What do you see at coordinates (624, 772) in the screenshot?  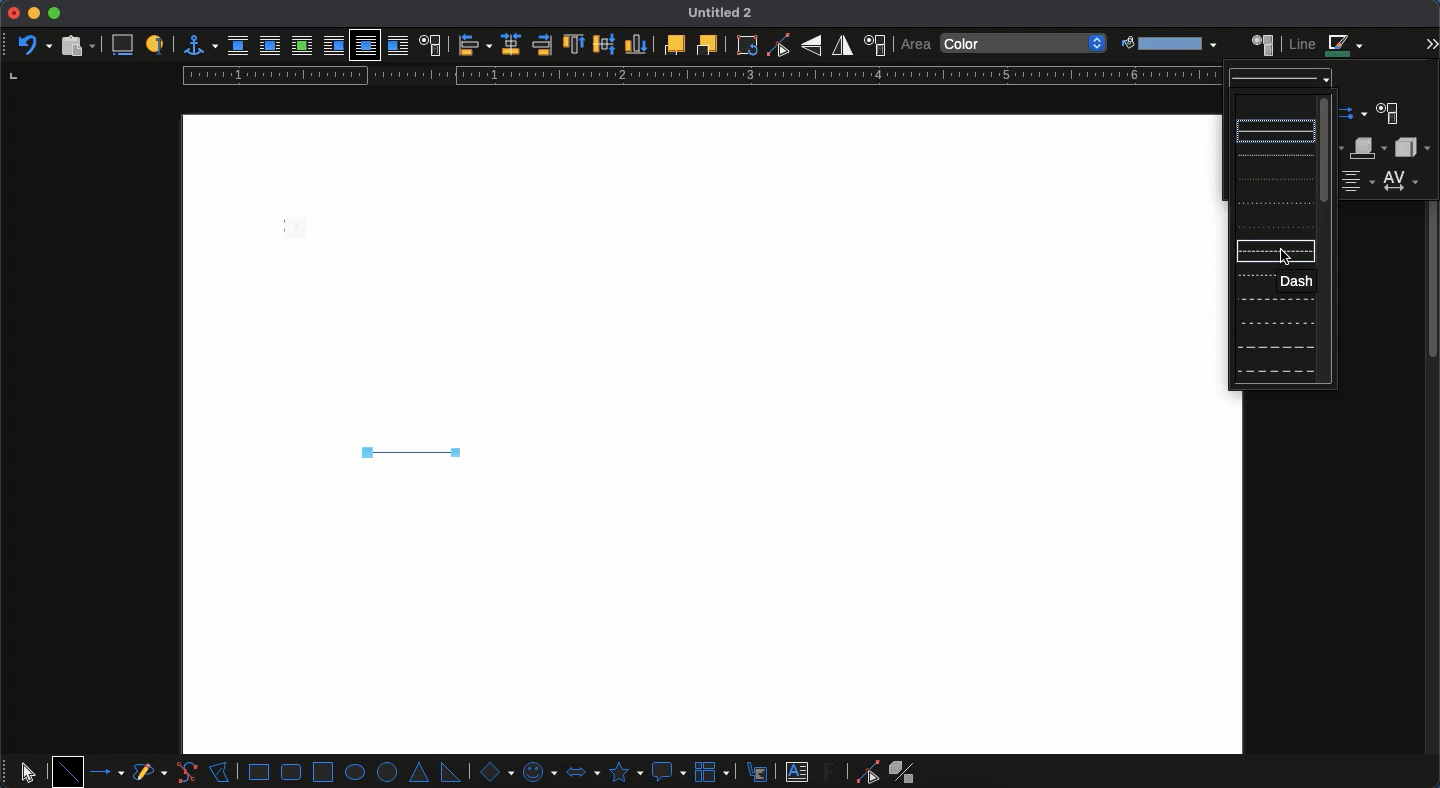 I see `stars and banners` at bounding box center [624, 772].